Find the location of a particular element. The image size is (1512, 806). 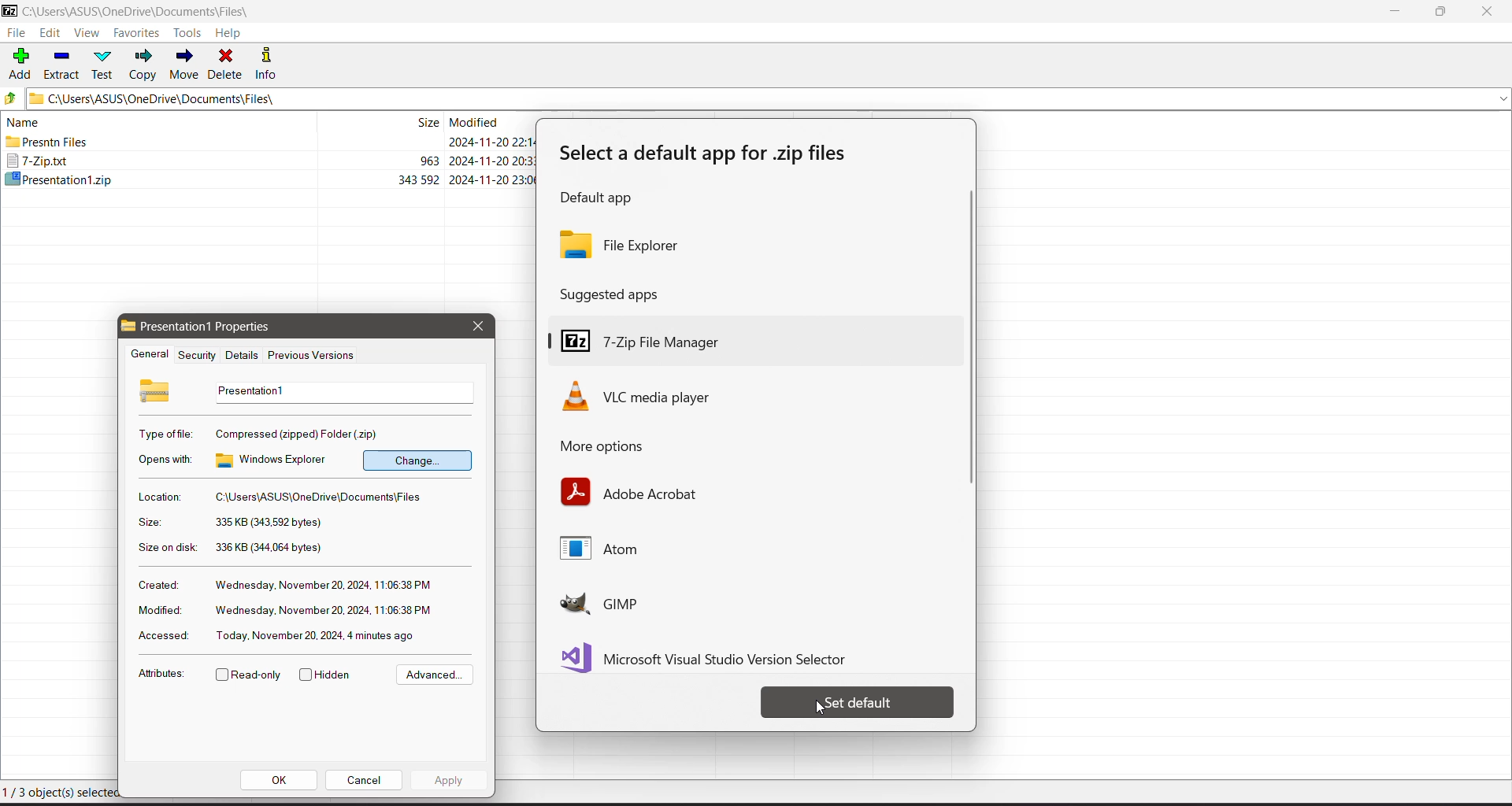

Current program/app to pen the selected .zip file is located at coordinates (276, 460).